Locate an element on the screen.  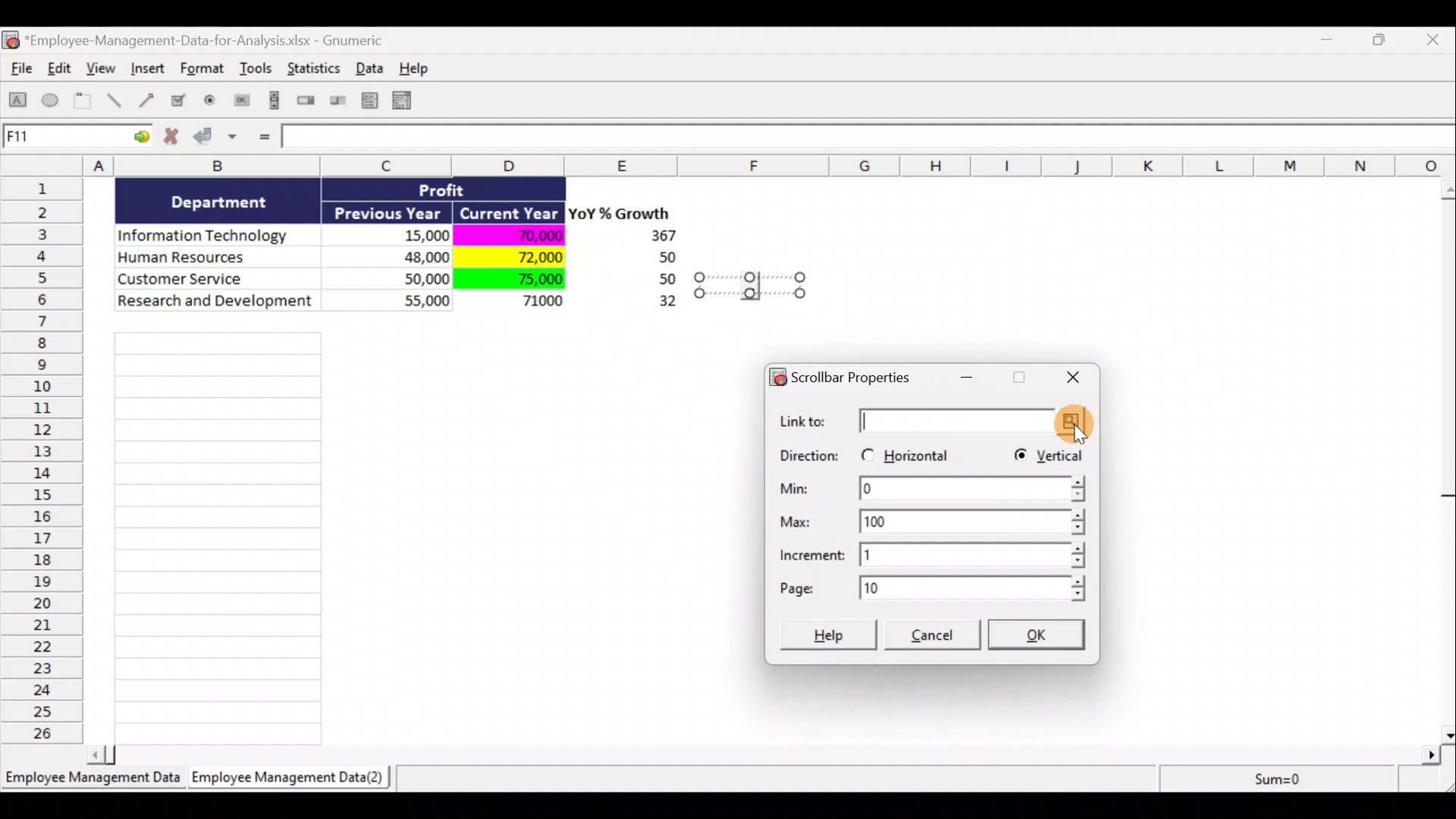
Maximum value is located at coordinates (940, 519).